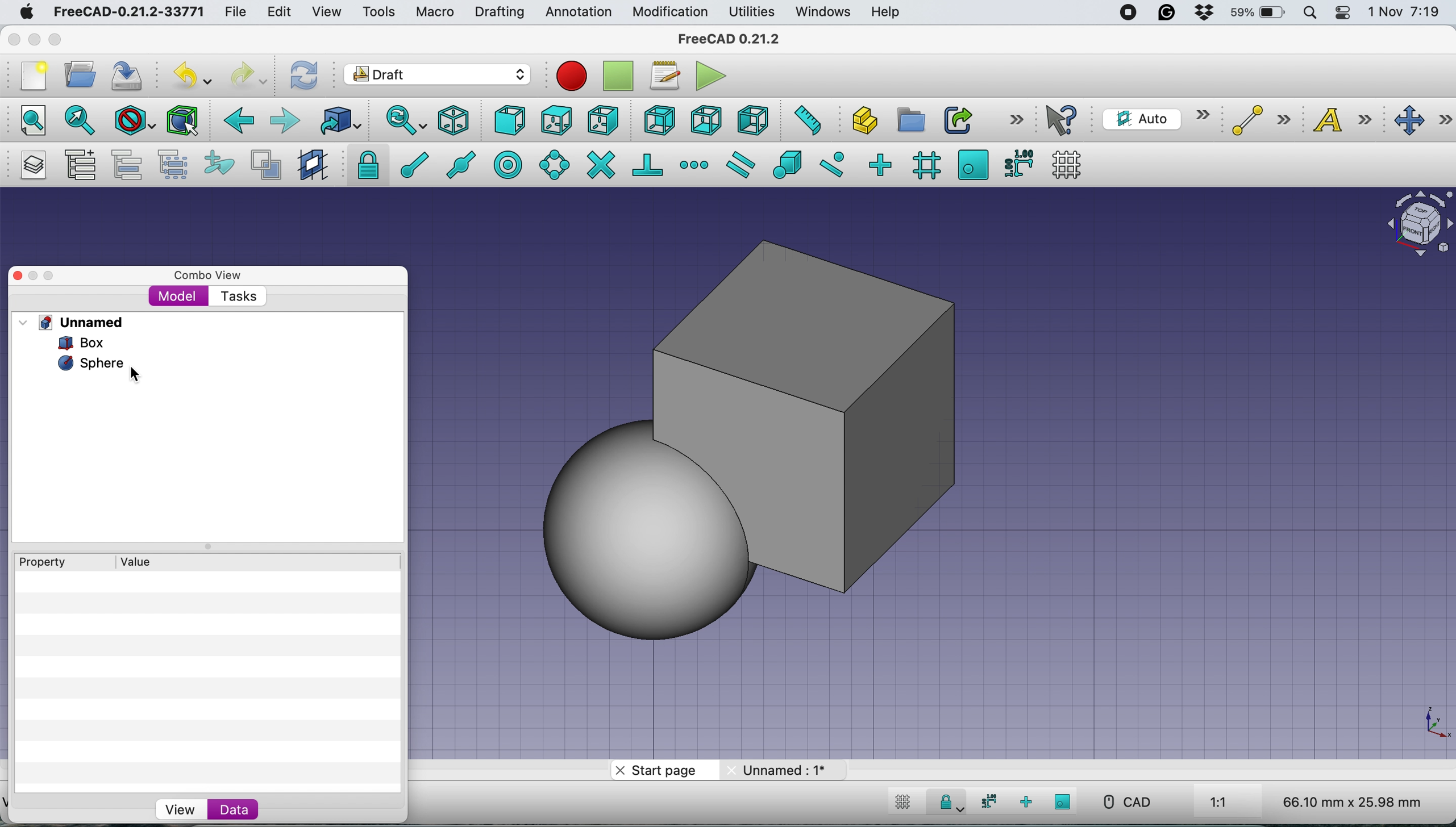 The image size is (1456, 827). What do you see at coordinates (1424, 121) in the screenshot?
I see `move` at bounding box center [1424, 121].